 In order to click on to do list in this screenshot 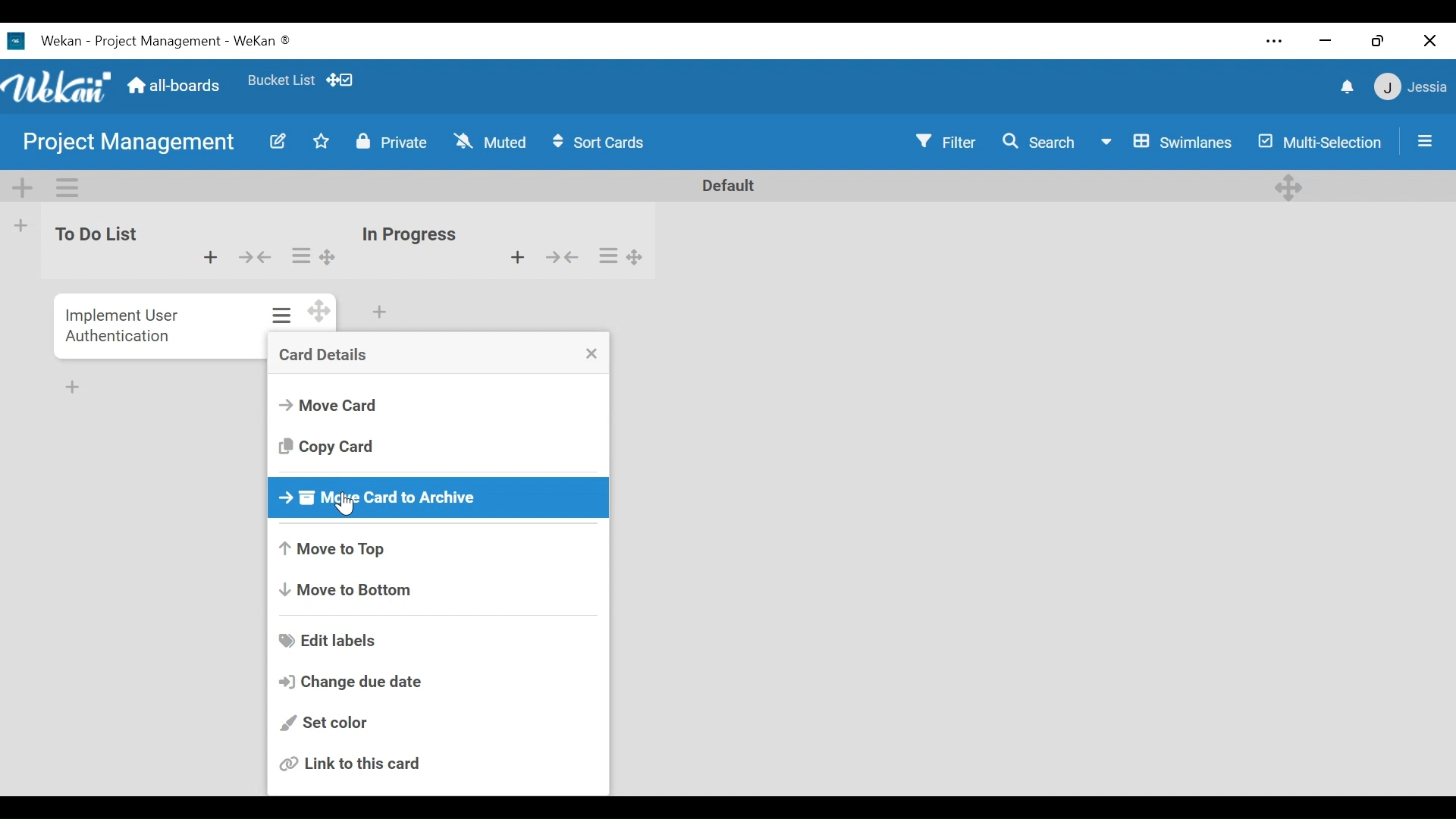, I will do `click(97, 243)`.